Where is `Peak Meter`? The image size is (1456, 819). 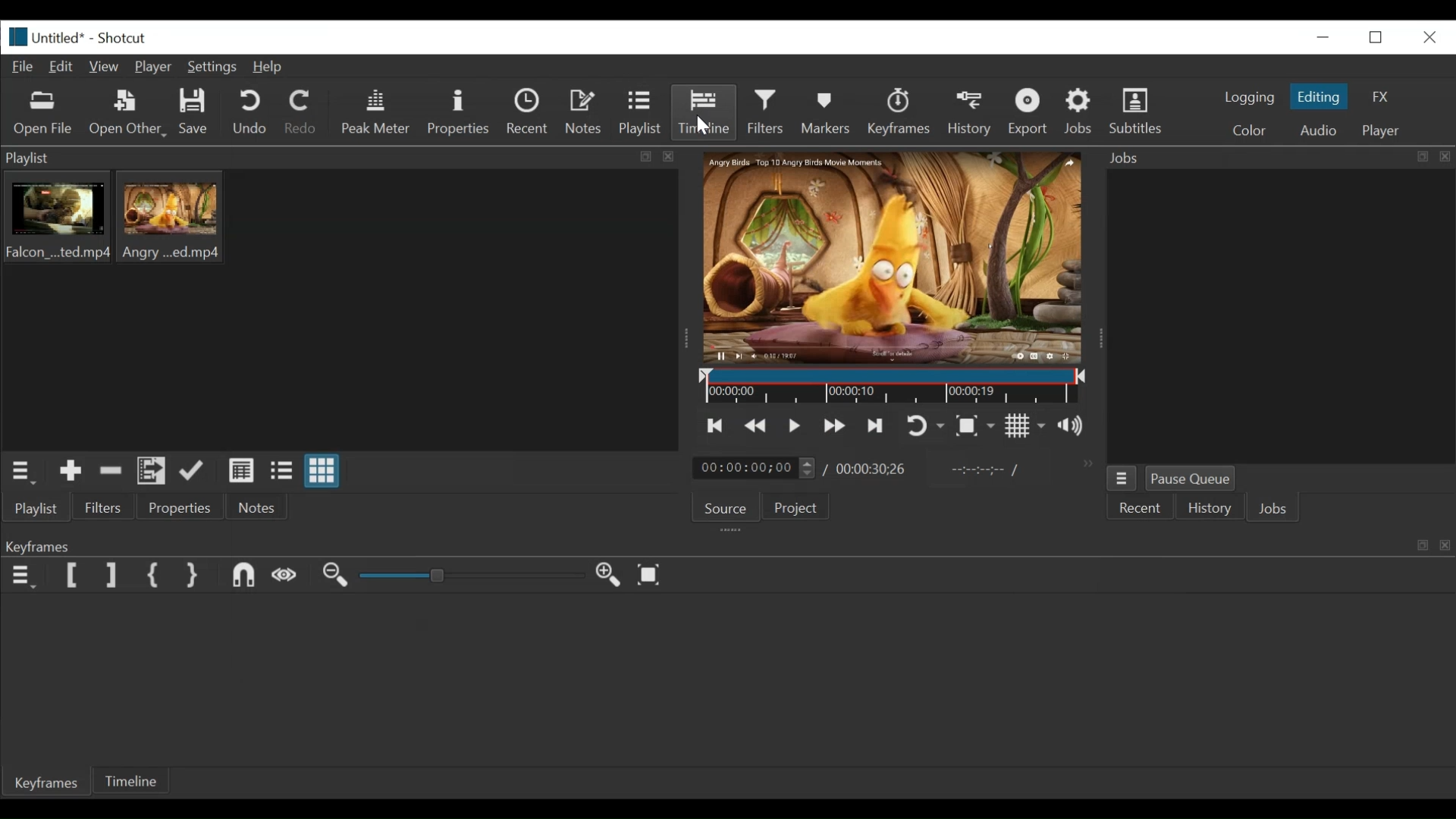 Peak Meter is located at coordinates (378, 112).